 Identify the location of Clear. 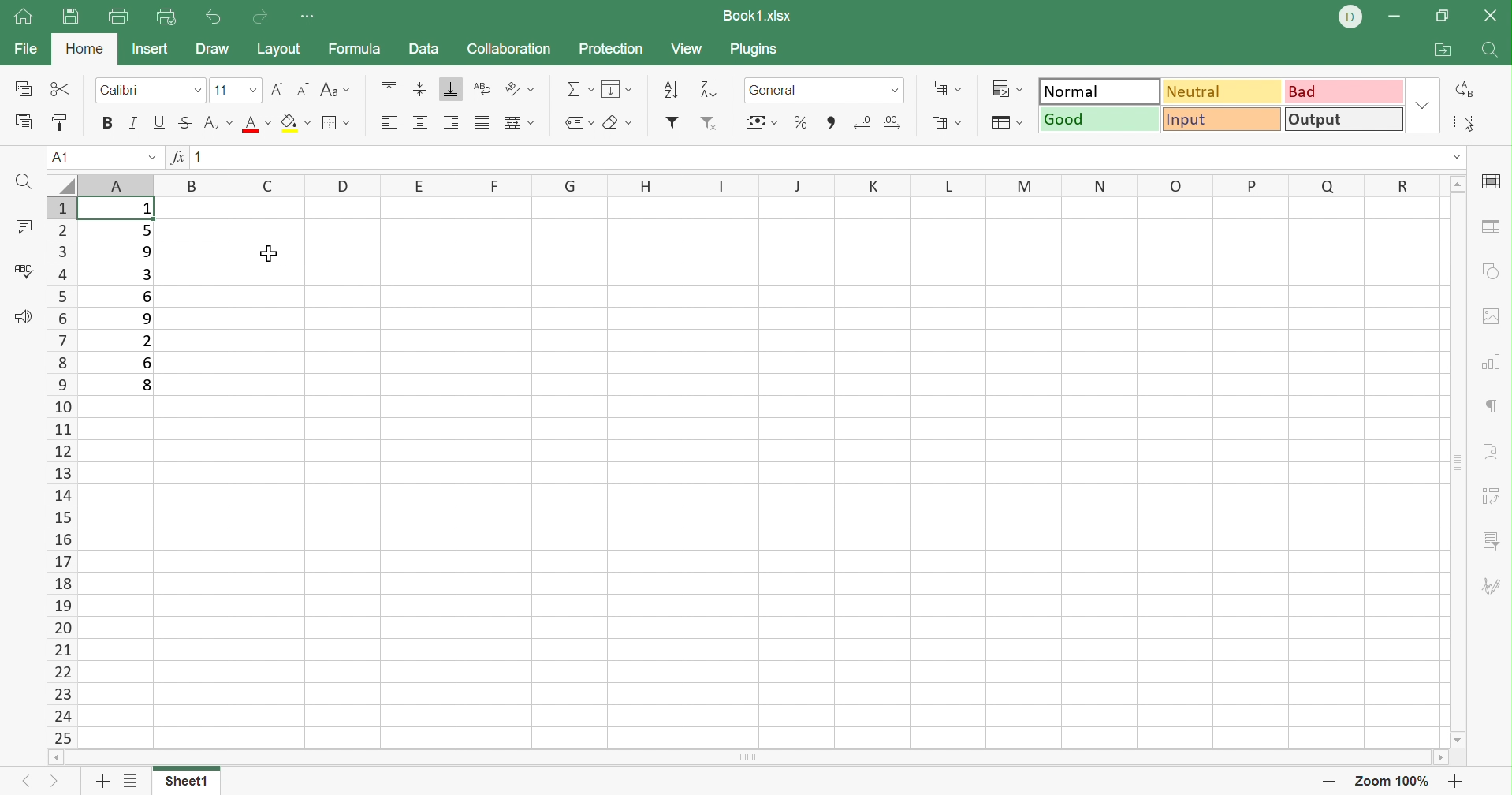
(622, 121).